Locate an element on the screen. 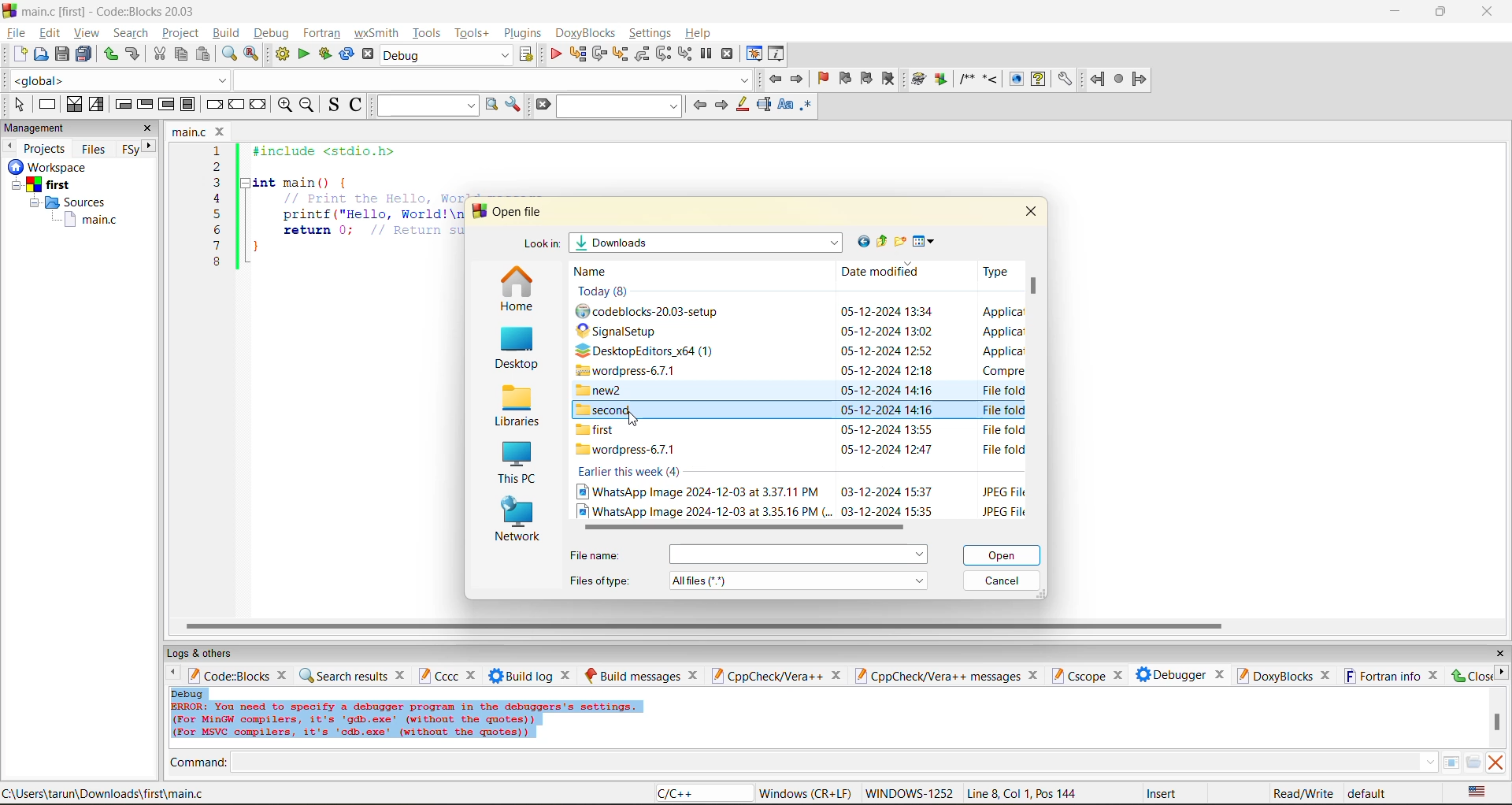 The height and width of the screenshot is (805, 1512). cursor is located at coordinates (632, 418).